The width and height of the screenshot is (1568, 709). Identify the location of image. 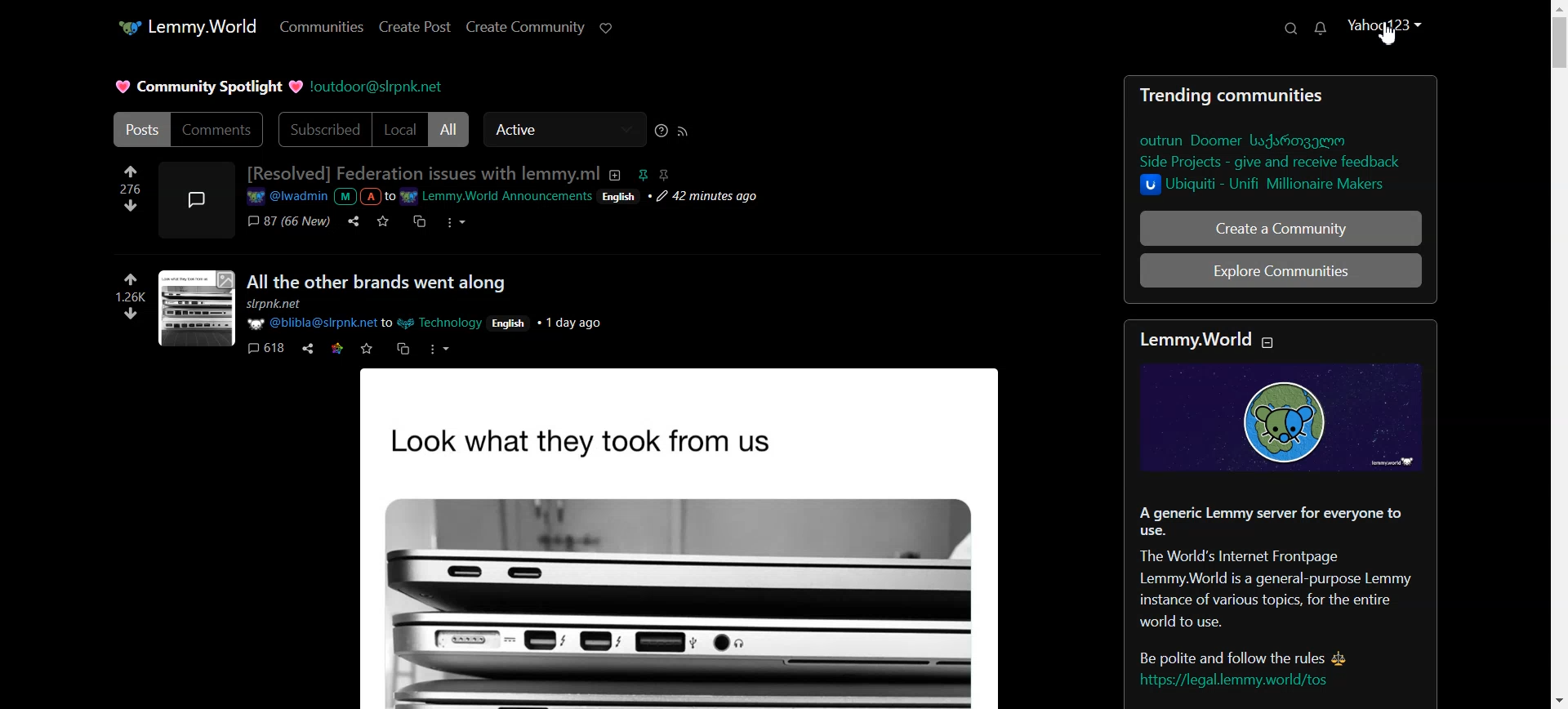
(198, 308).